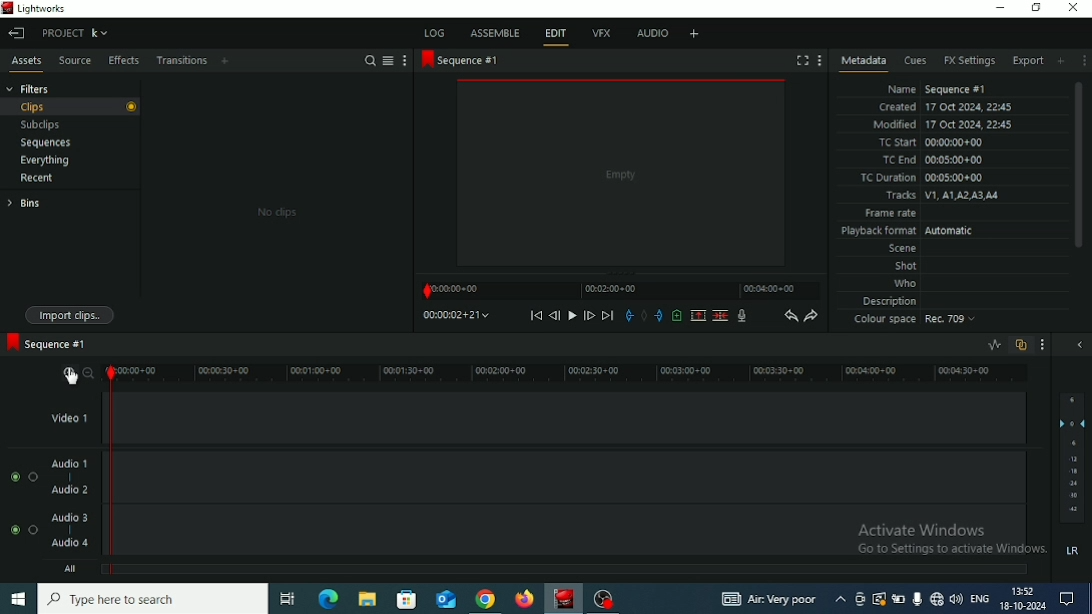 The image size is (1092, 614). I want to click on Date, so click(1022, 606).